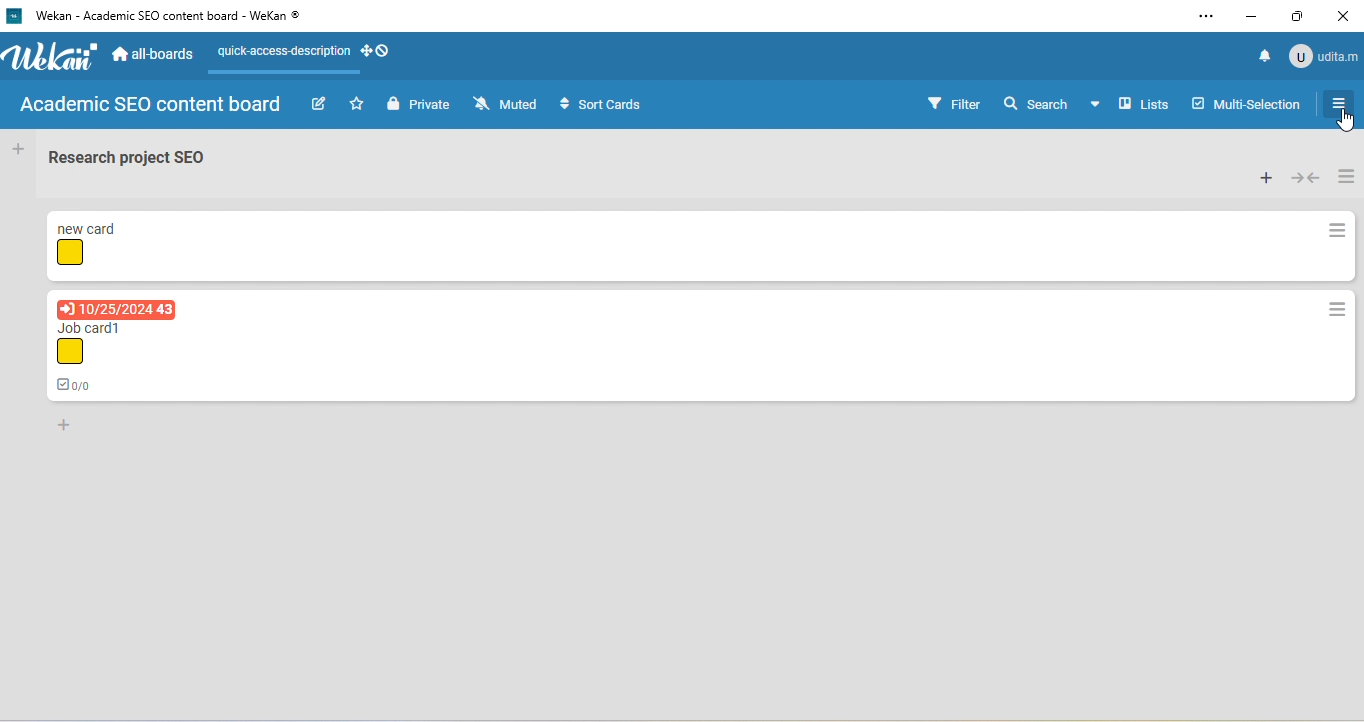 This screenshot has width=1364, height=722. I want to click on ‘Wekan - Academic SEO content board - WeKan ©, so click(176, 16).